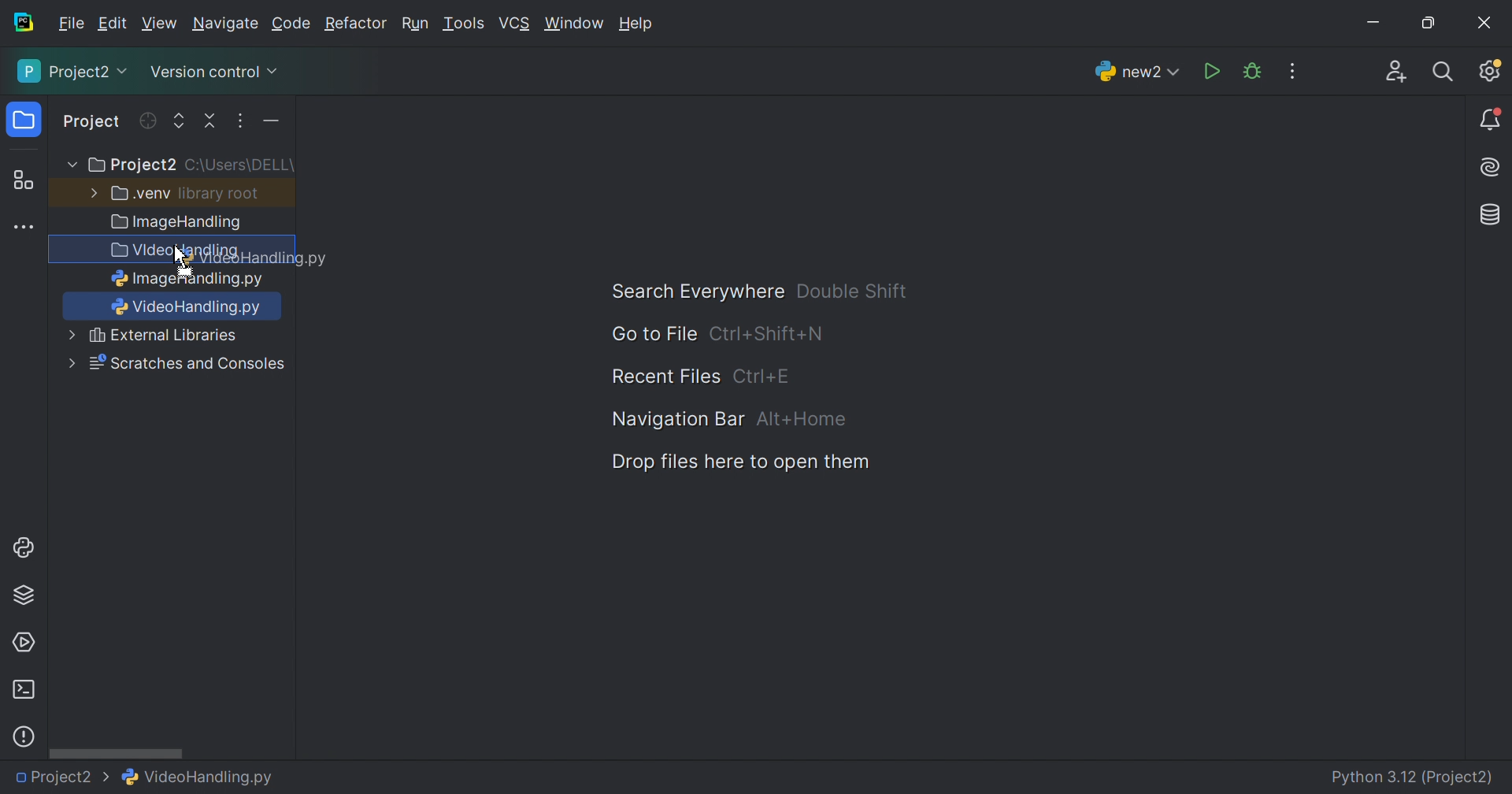  What do you see at coordinates (131, 165) in the screenshot?
I see `Project2` at bounding box center [131, 165].